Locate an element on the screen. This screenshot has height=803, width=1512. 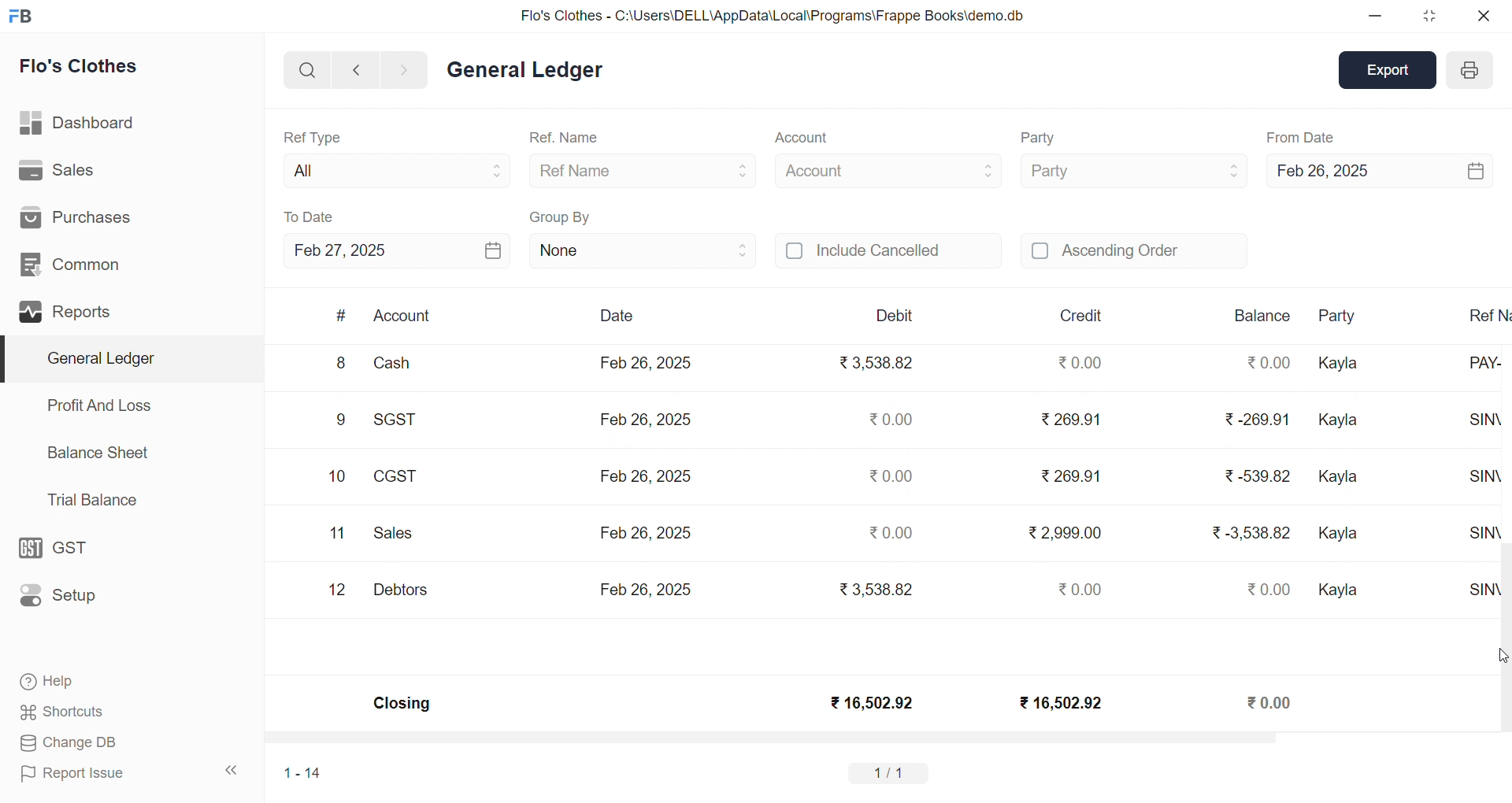
Export is located at coordinates (1391, 68).